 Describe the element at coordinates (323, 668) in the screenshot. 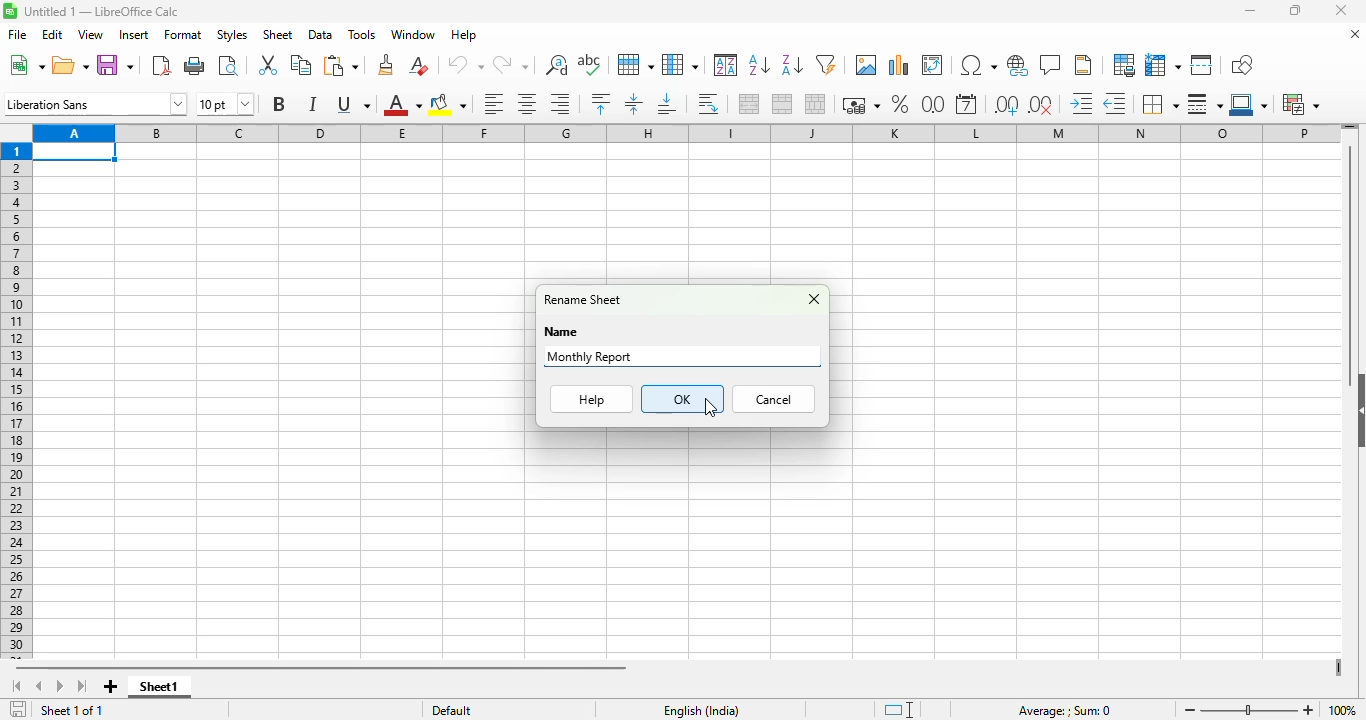

I see `horizontal scroll bar` at that location.